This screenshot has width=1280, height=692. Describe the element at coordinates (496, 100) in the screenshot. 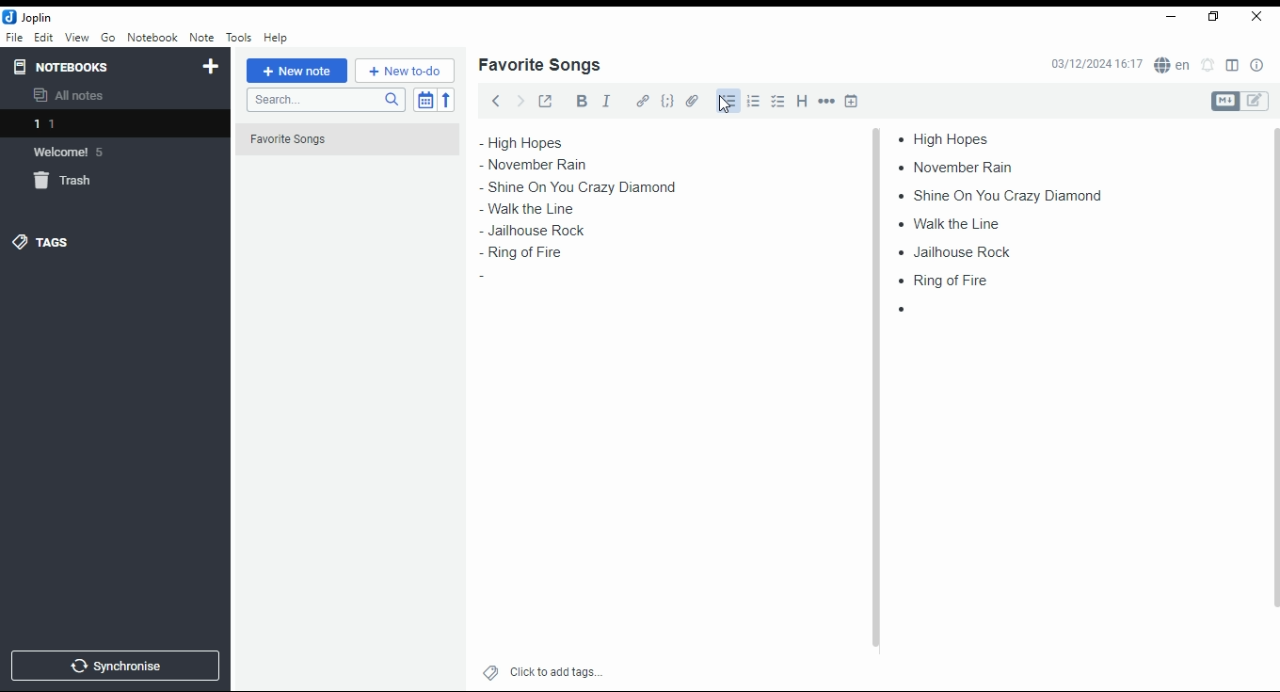

I see `back` at that location.